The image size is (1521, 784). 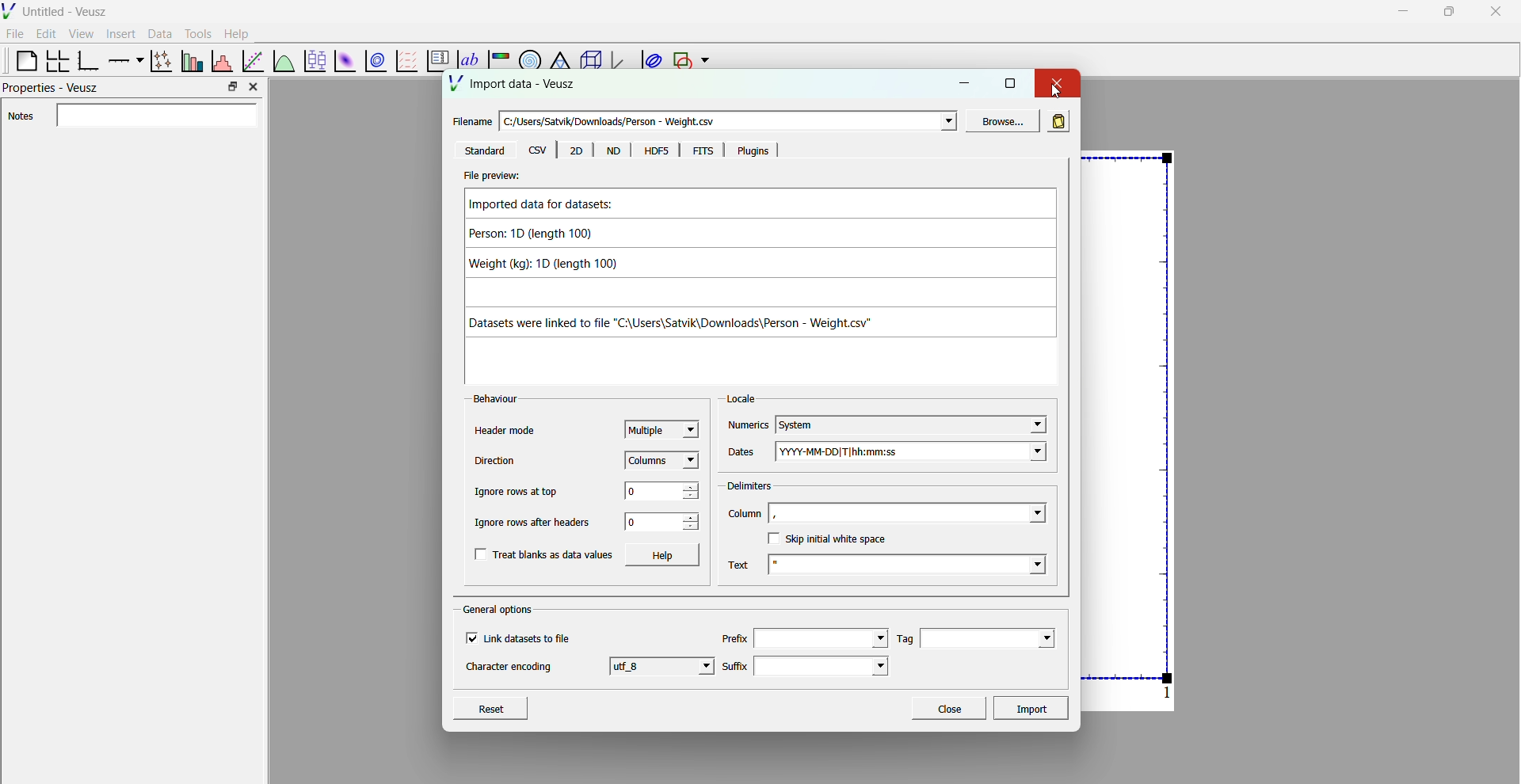 I want to click on Plugins, so click(x=749, y=150).